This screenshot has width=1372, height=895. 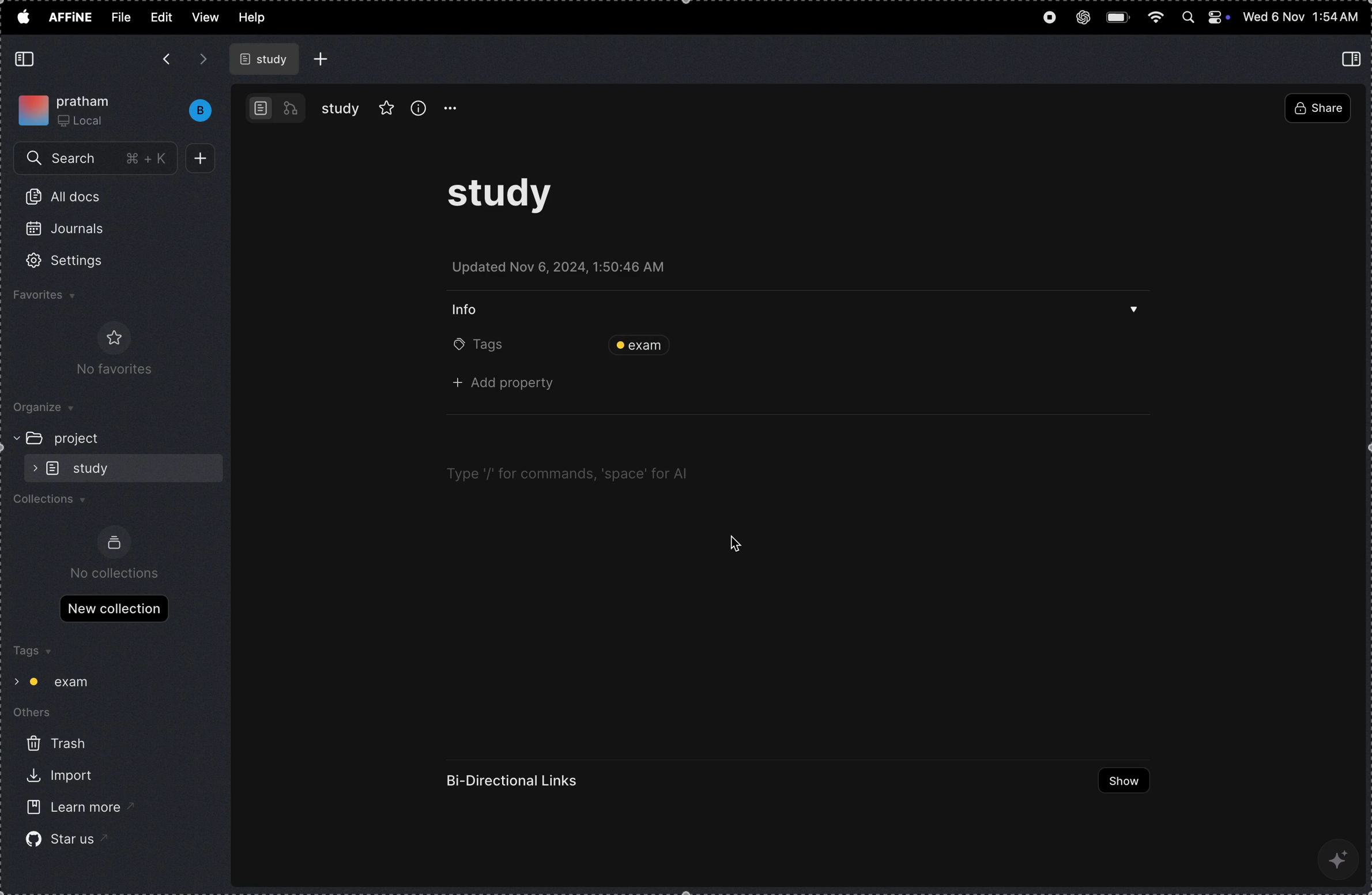 What do you see at coordinates (65, 682) in the screenshot?
I see ` tag "exam"` at bounding box center [65, 682].